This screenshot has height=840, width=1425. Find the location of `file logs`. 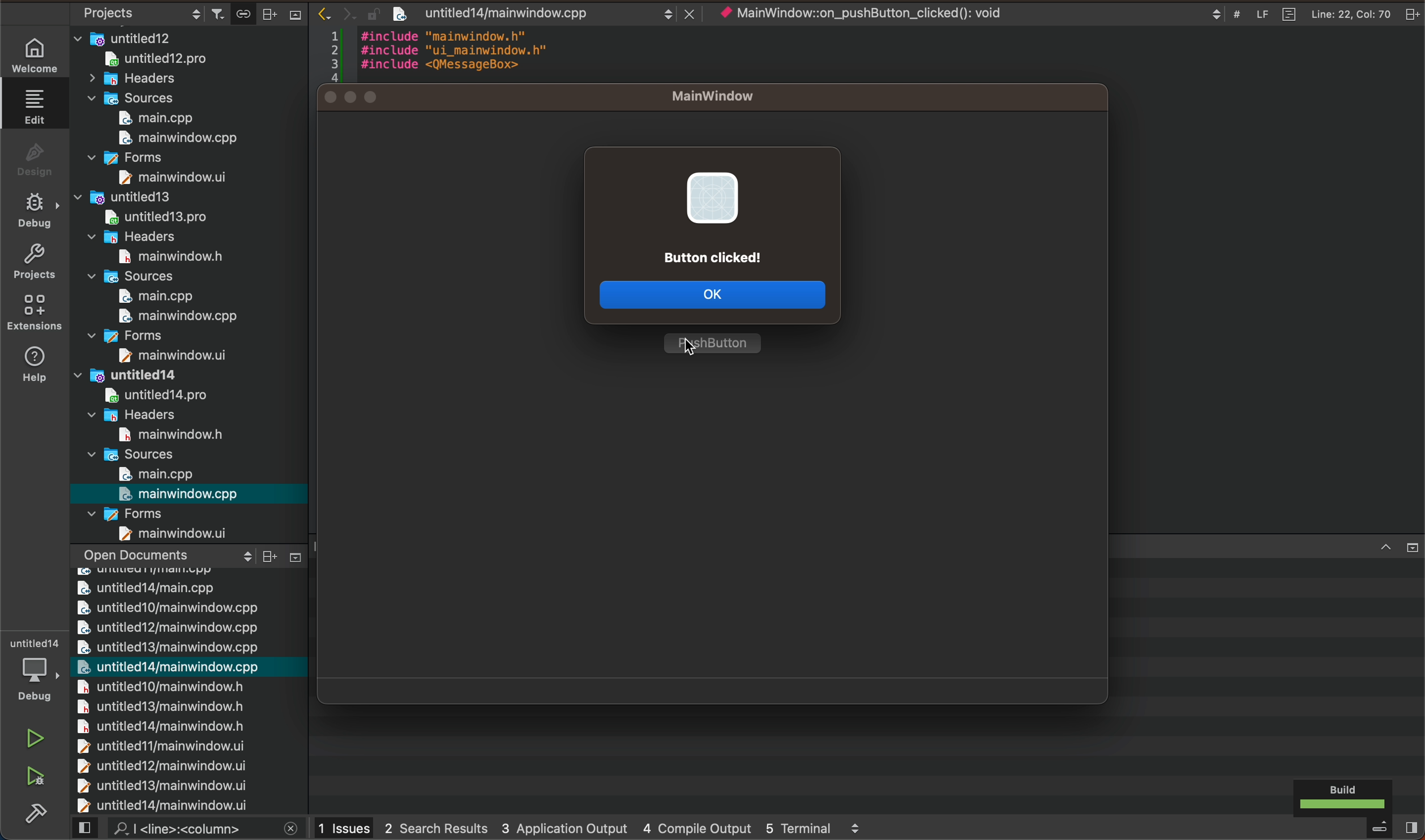

file logs is located at coordinates (1307, 12).